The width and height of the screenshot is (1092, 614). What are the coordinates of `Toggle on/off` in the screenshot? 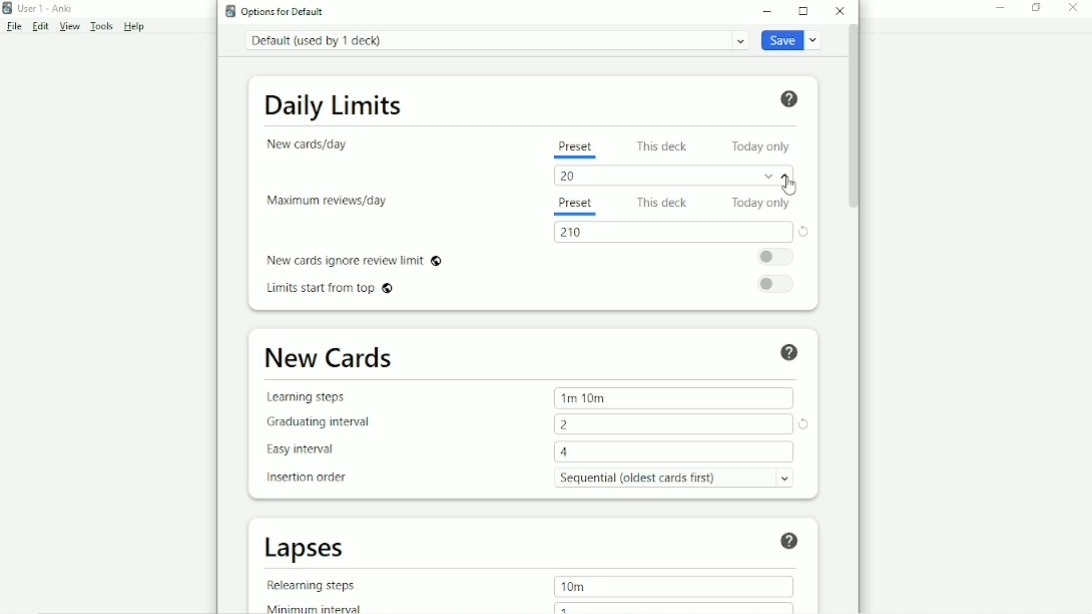 It's located at (777, 256).